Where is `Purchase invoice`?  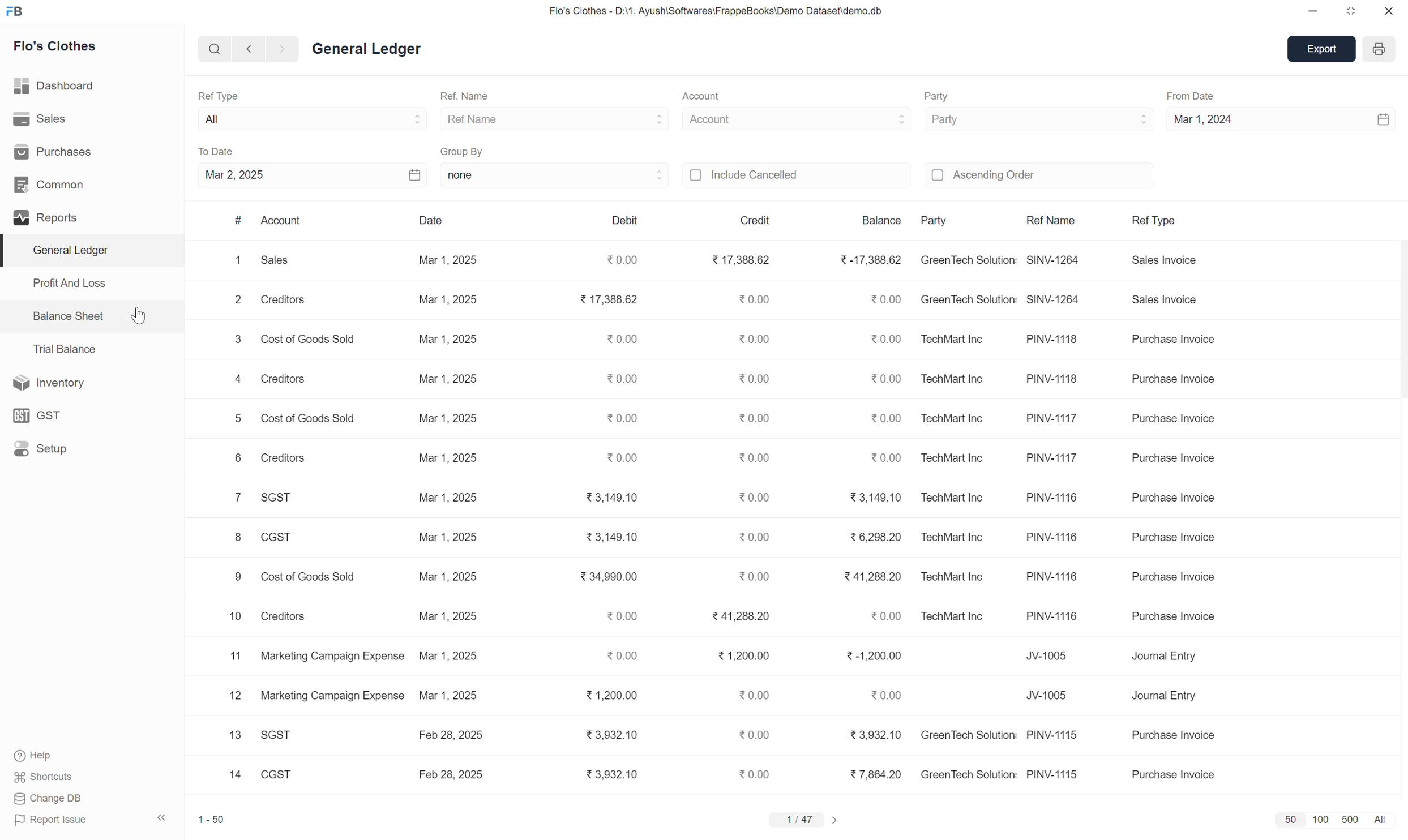
Purchase invoice is located at coordinates (1178, 419).